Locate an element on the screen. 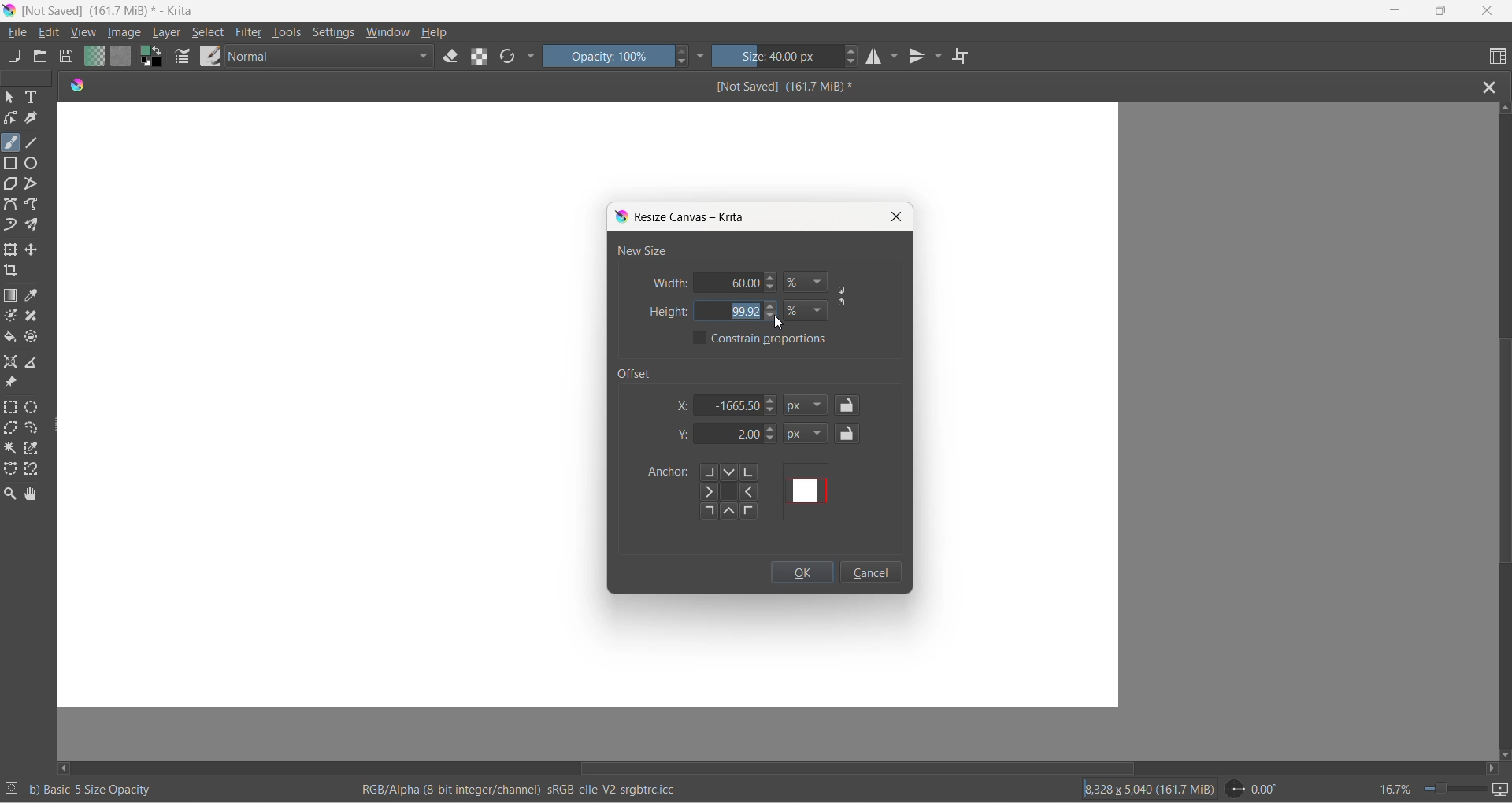  y-axis value lock is located at coordinates (849, 433).